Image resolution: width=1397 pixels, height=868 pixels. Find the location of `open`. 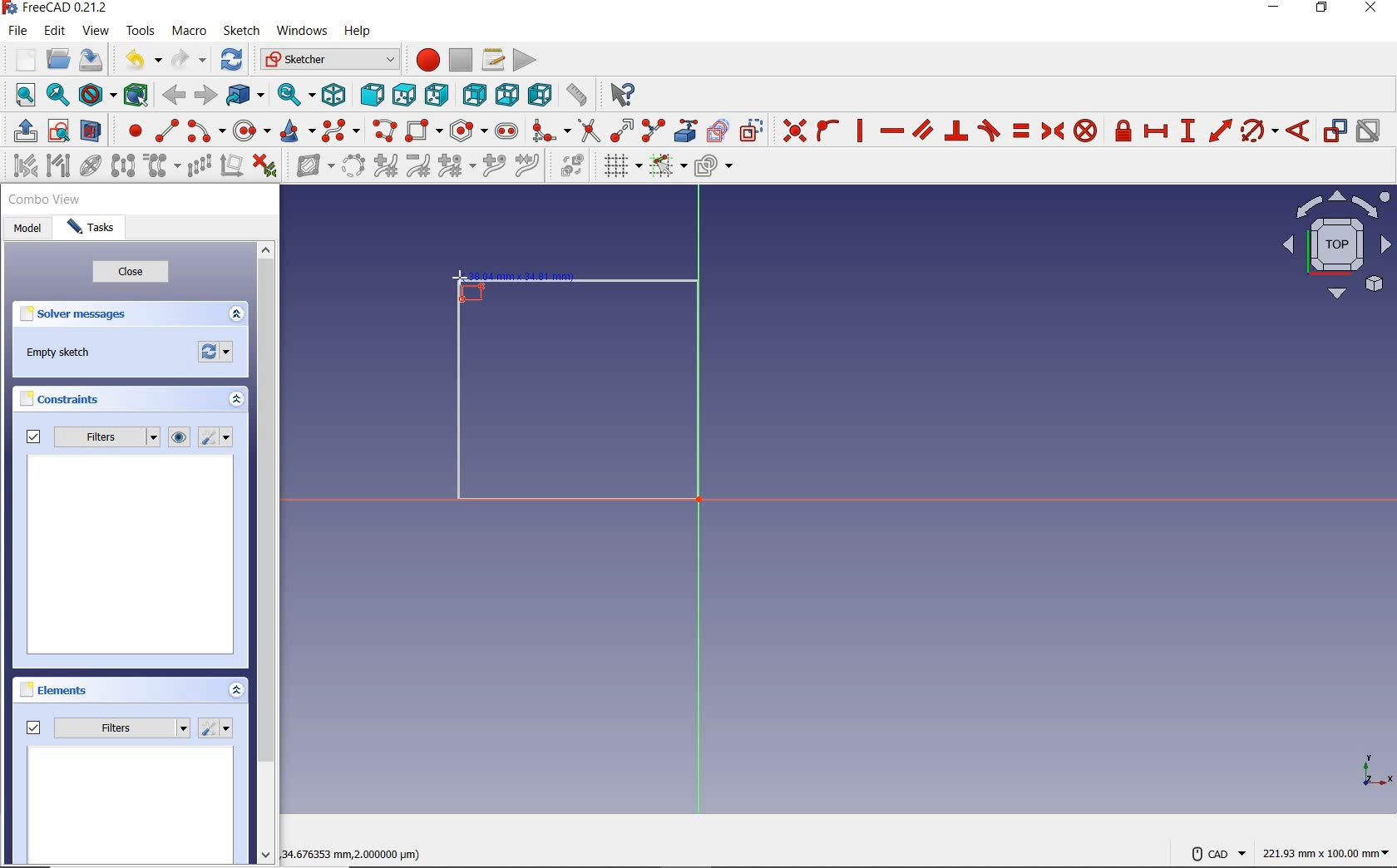

open is located at coordinates (57, 60).